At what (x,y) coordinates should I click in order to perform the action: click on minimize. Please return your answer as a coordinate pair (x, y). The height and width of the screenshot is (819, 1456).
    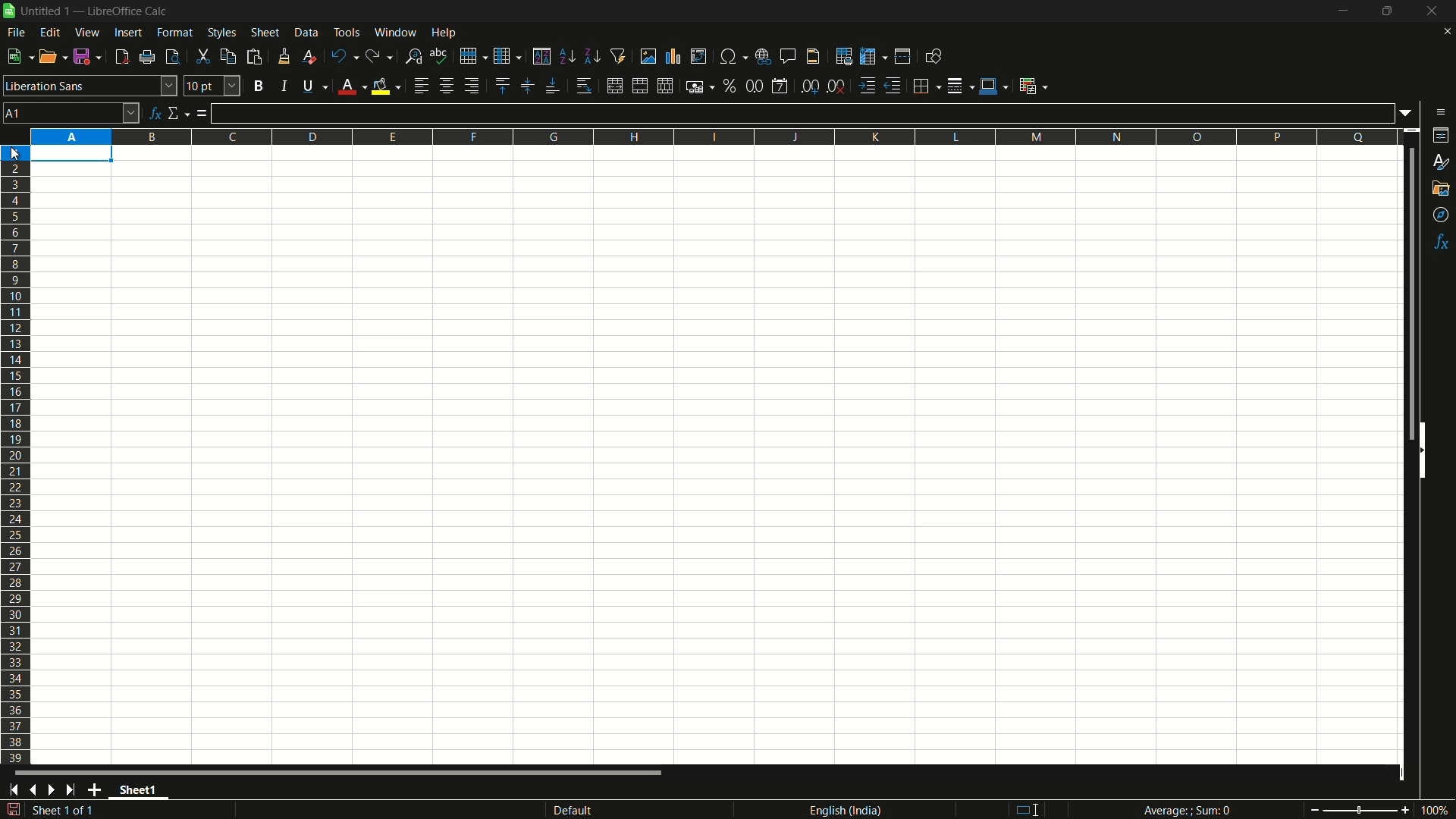
    Looking at the image, I should click on (1343, 11).